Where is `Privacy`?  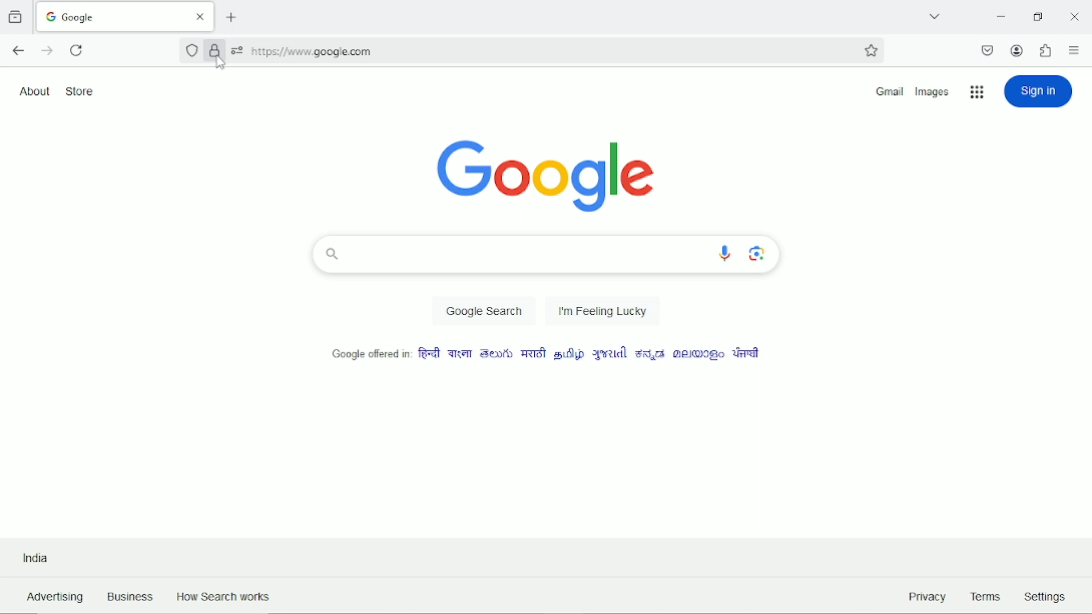
Privacy is located at coordinates (924, 596).